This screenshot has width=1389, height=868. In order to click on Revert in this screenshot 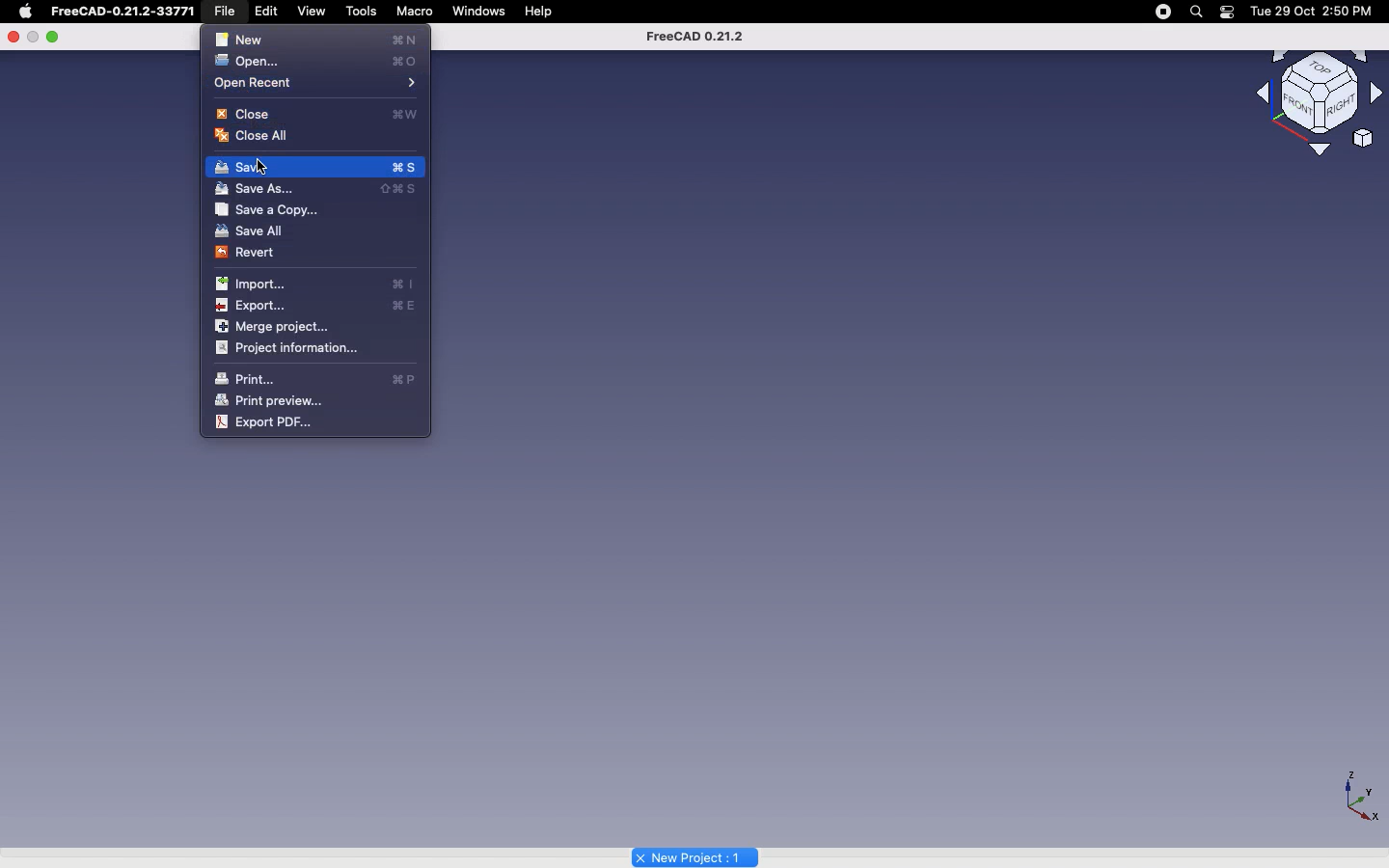, I will do `click(251, 254)`.